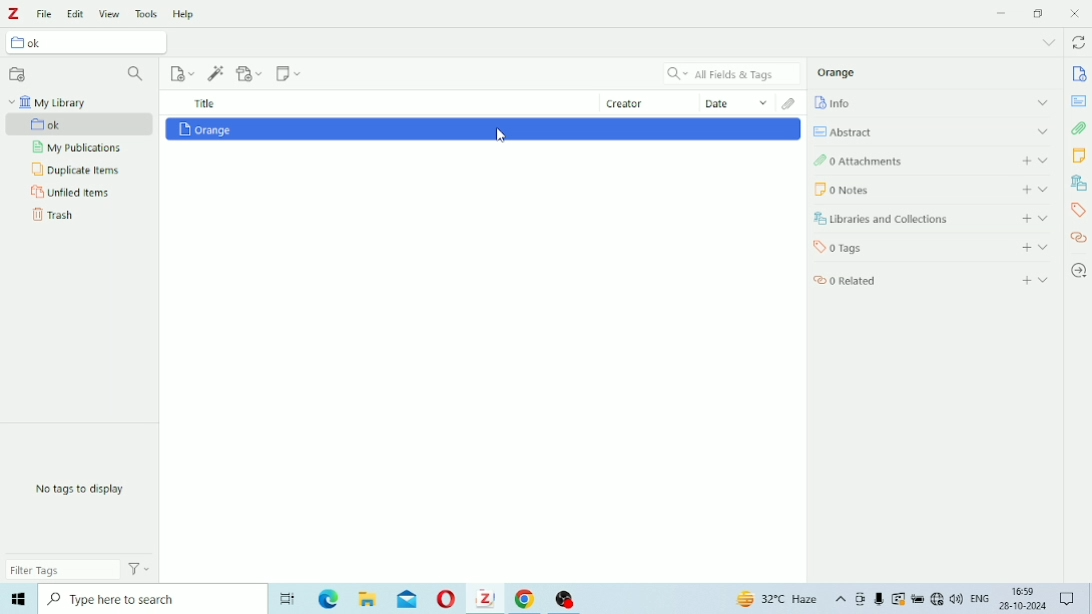 The height and width of the screenshot is (614, 1092). What do you see at coordinates (918, 599) in the screenshot?
I see `Charging, plugged in` at bounding box center [918, 599].